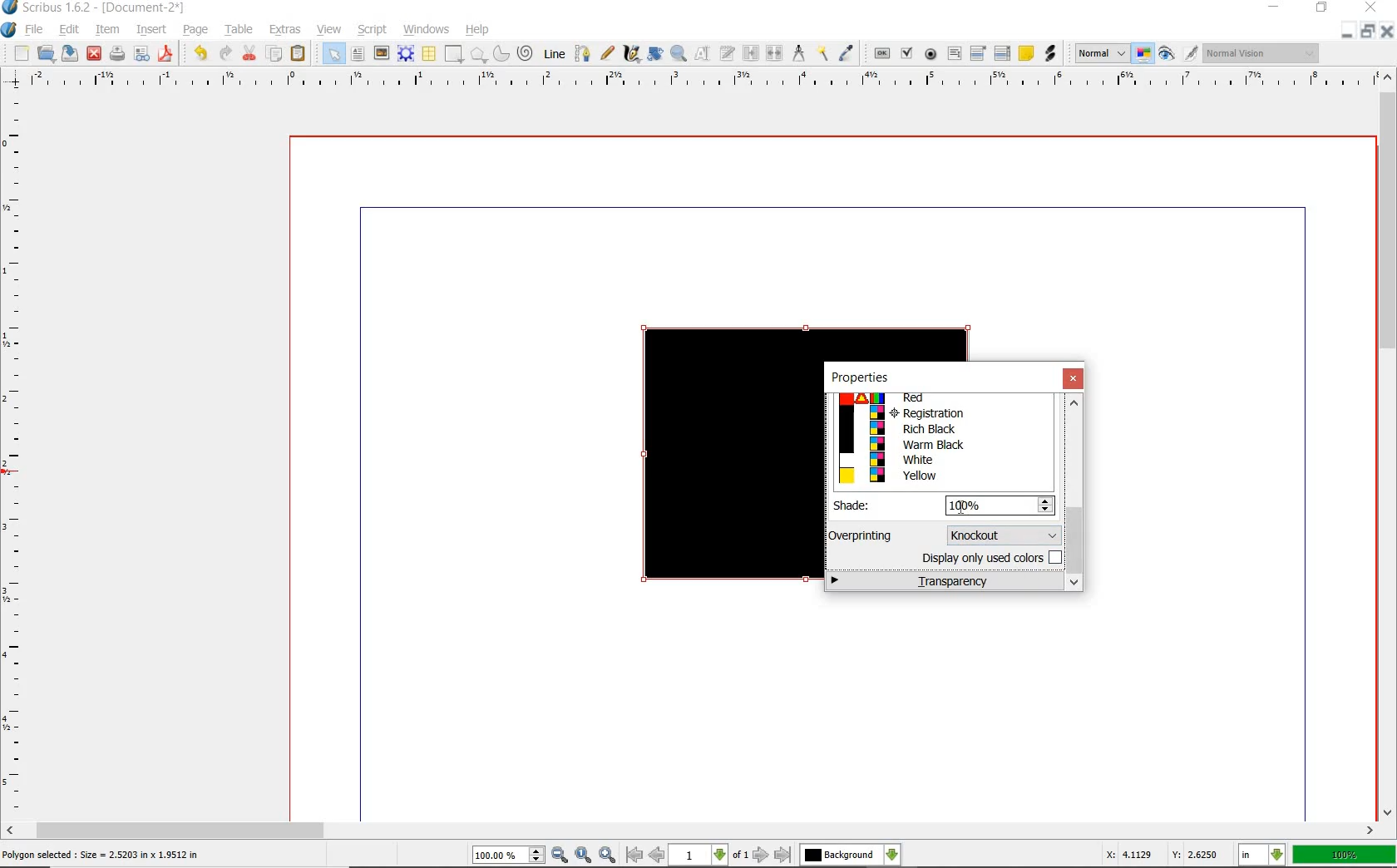 This screenshot has height=868, width=1397. Describe the element at coordinates (1385, 33) in the screenshot. I see `CLOSE` at that location.